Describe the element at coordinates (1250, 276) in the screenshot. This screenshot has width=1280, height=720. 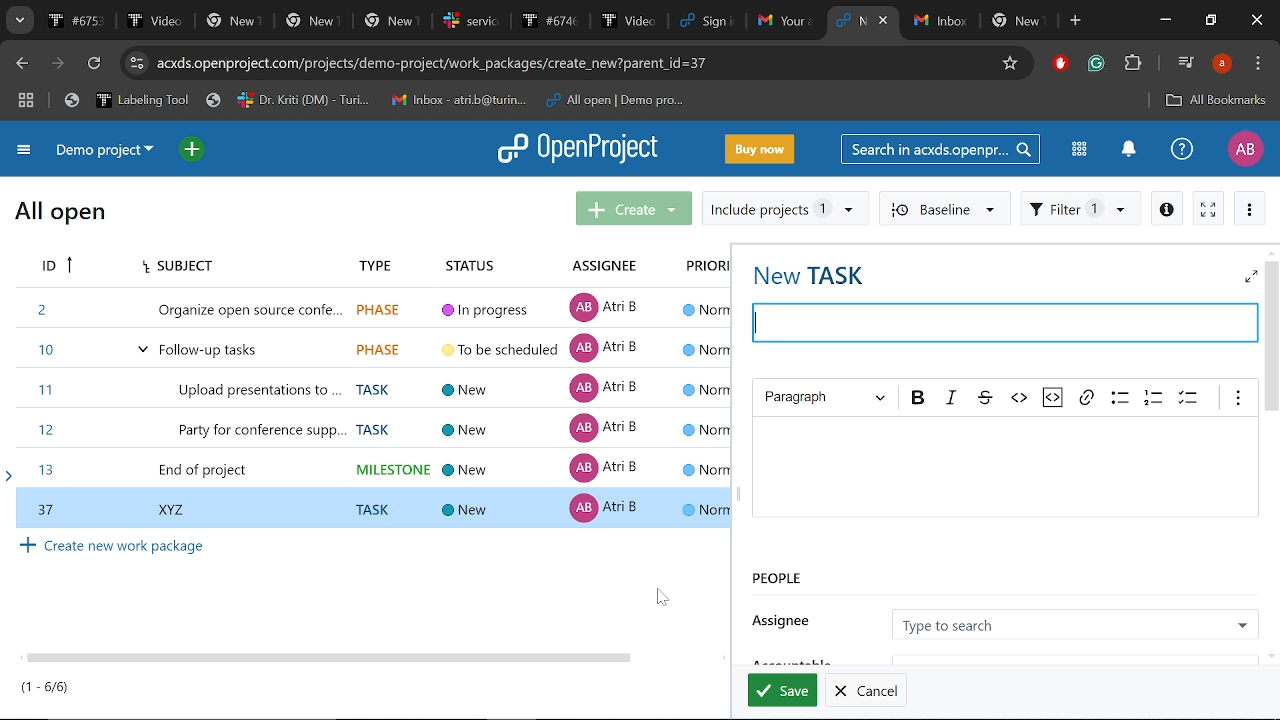
I see `Expand` at that location.